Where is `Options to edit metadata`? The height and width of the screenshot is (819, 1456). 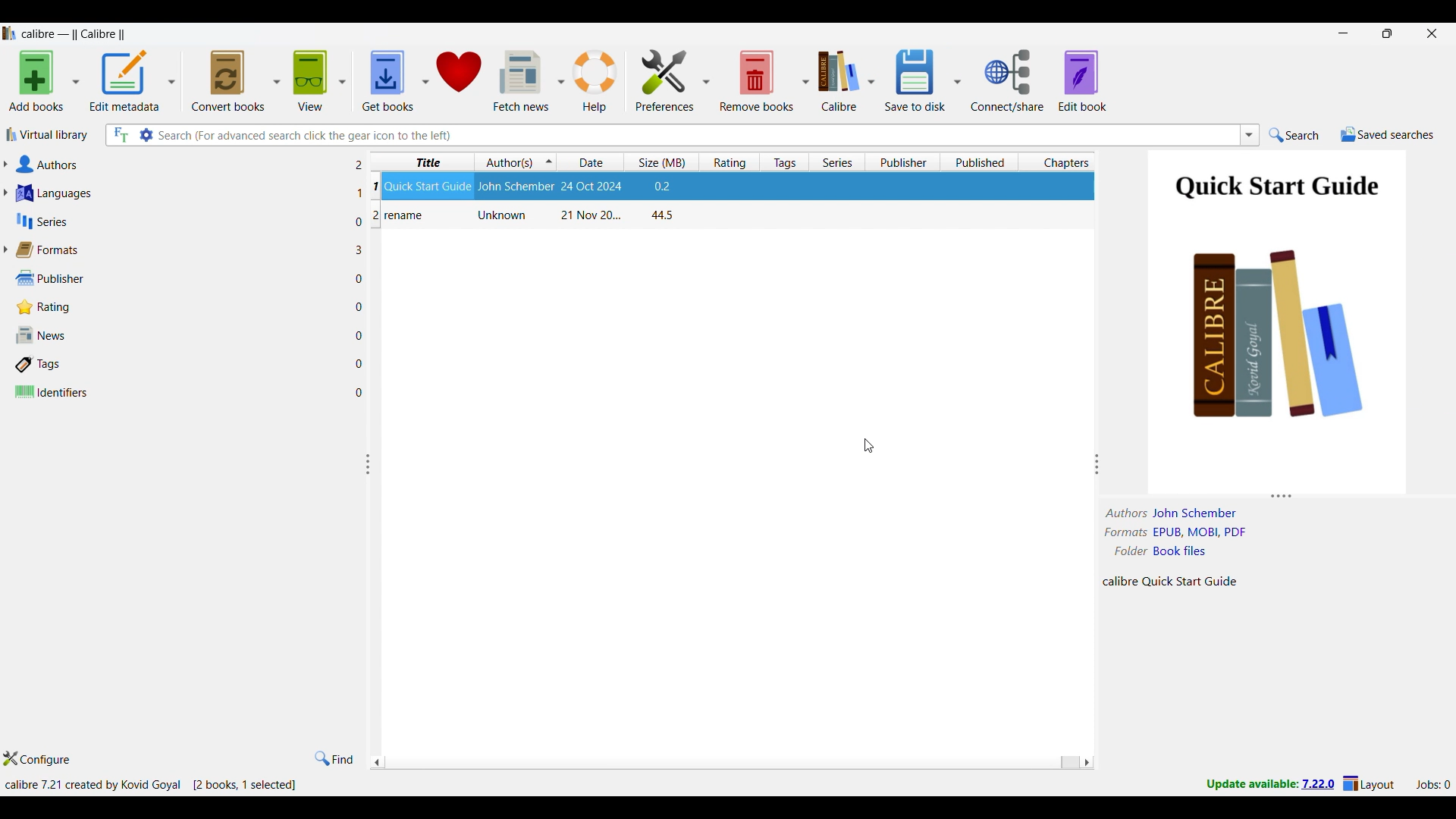
Options to edit metadata is located at coordinates (133, 80).